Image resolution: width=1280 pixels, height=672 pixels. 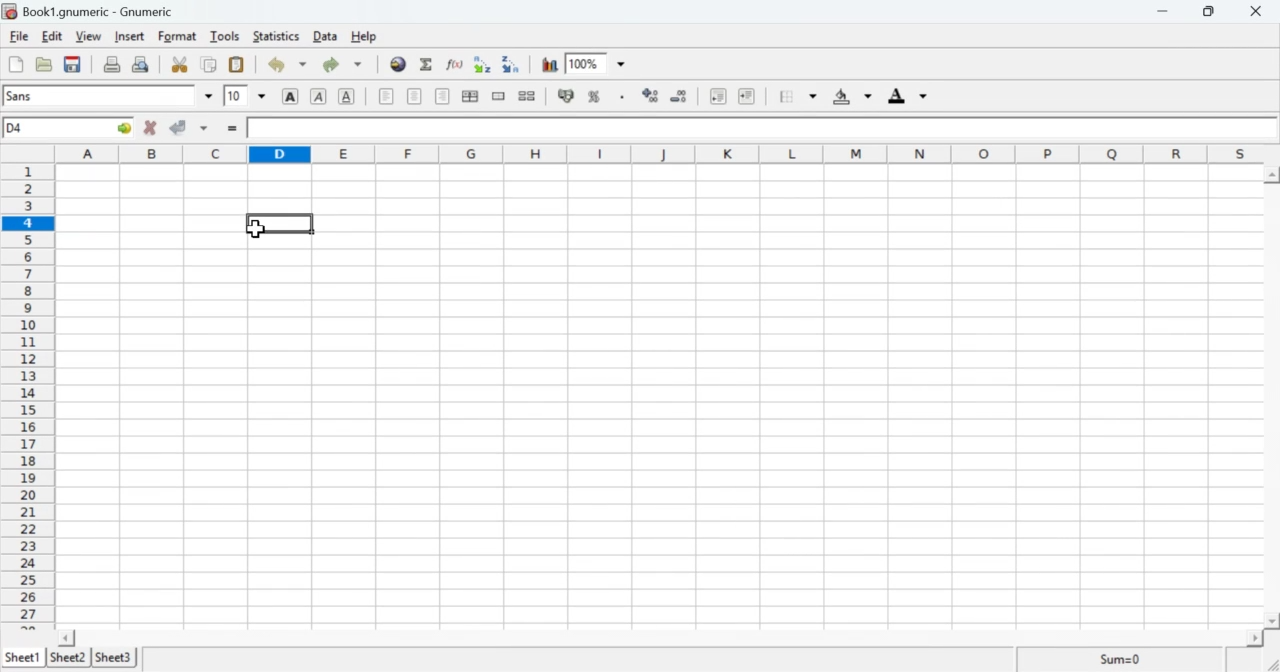 What do you see at coordinates (318, 98) in the screenshot?
I see `Italics` at bounding box center [318, 98].